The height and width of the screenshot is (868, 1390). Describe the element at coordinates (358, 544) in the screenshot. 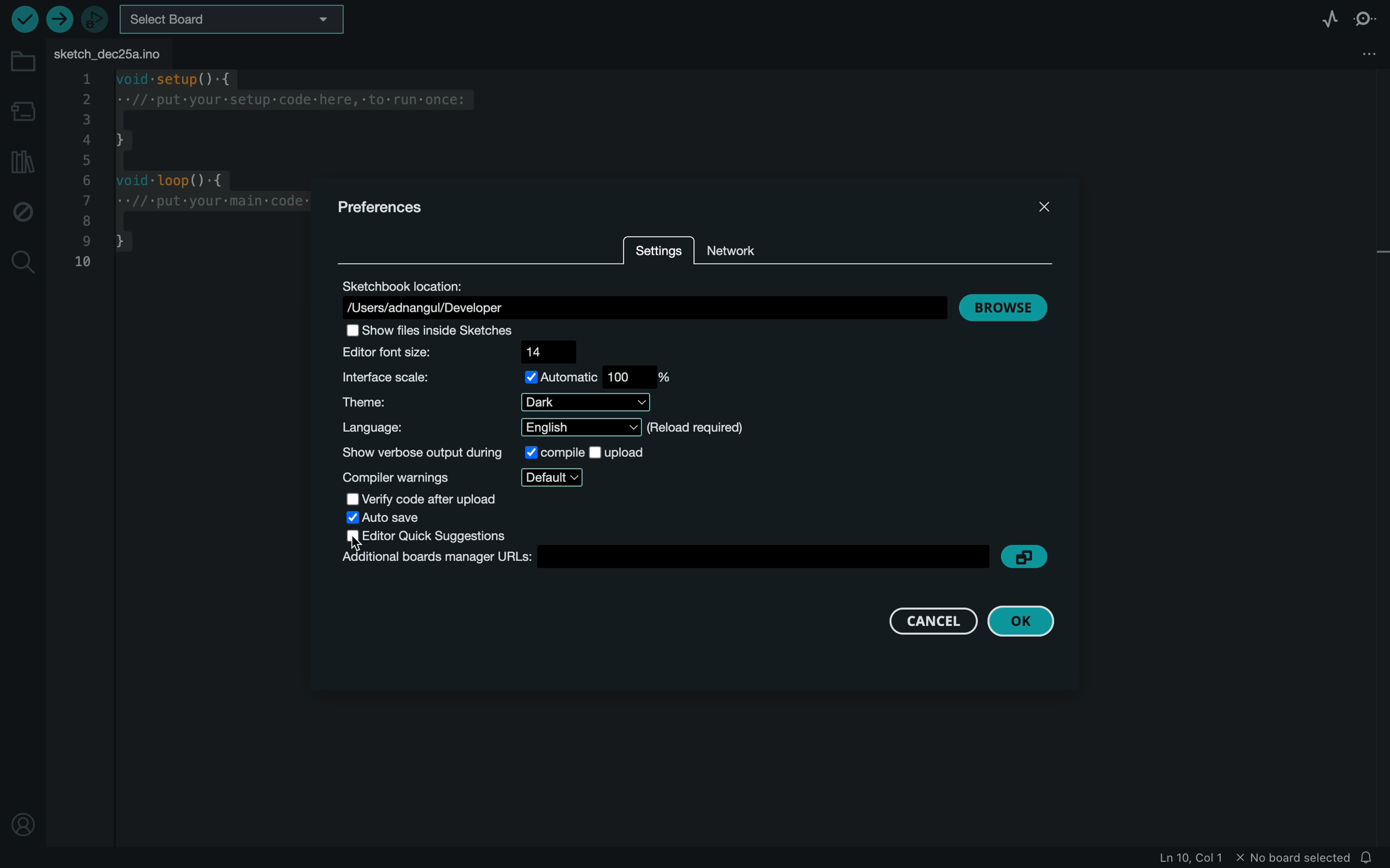

I see `cursor` at that location.